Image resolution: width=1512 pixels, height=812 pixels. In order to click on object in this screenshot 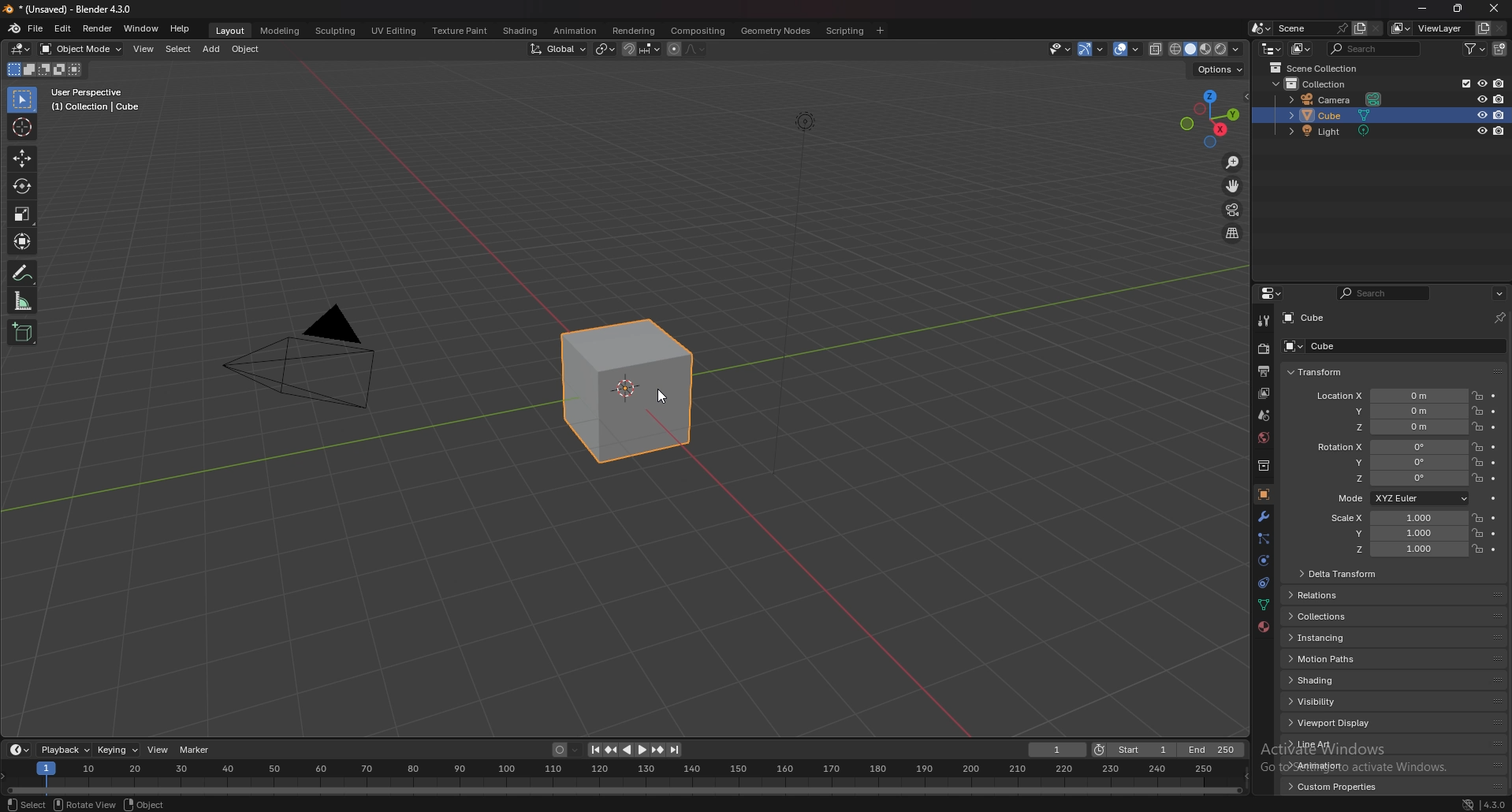, I will do `click(249, 49)`.